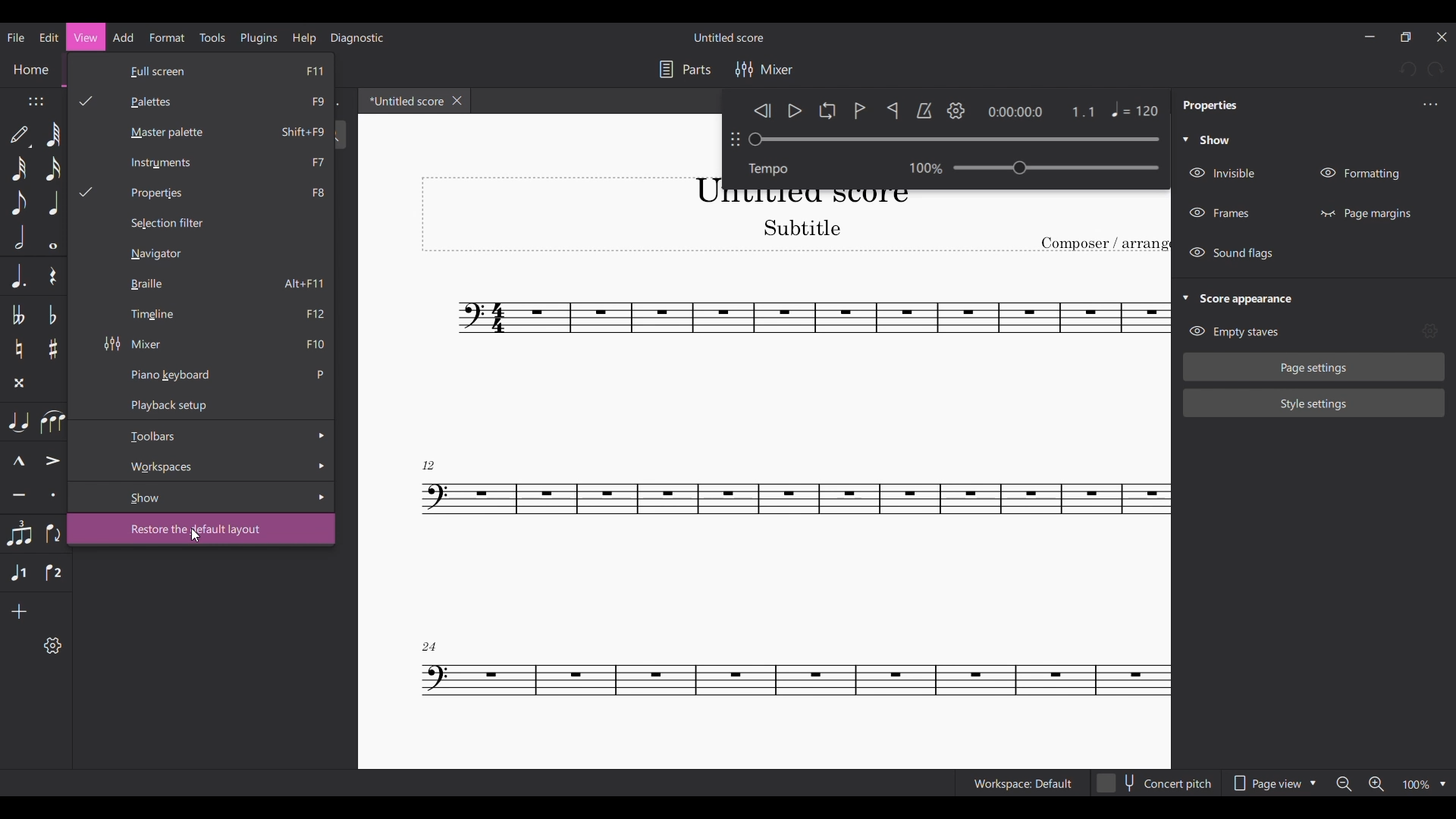 The width and height of the screenshot is (1456, 819). Describe the element at coordinates (1220, 213) in the screenshot. I see `Frames` at that location.